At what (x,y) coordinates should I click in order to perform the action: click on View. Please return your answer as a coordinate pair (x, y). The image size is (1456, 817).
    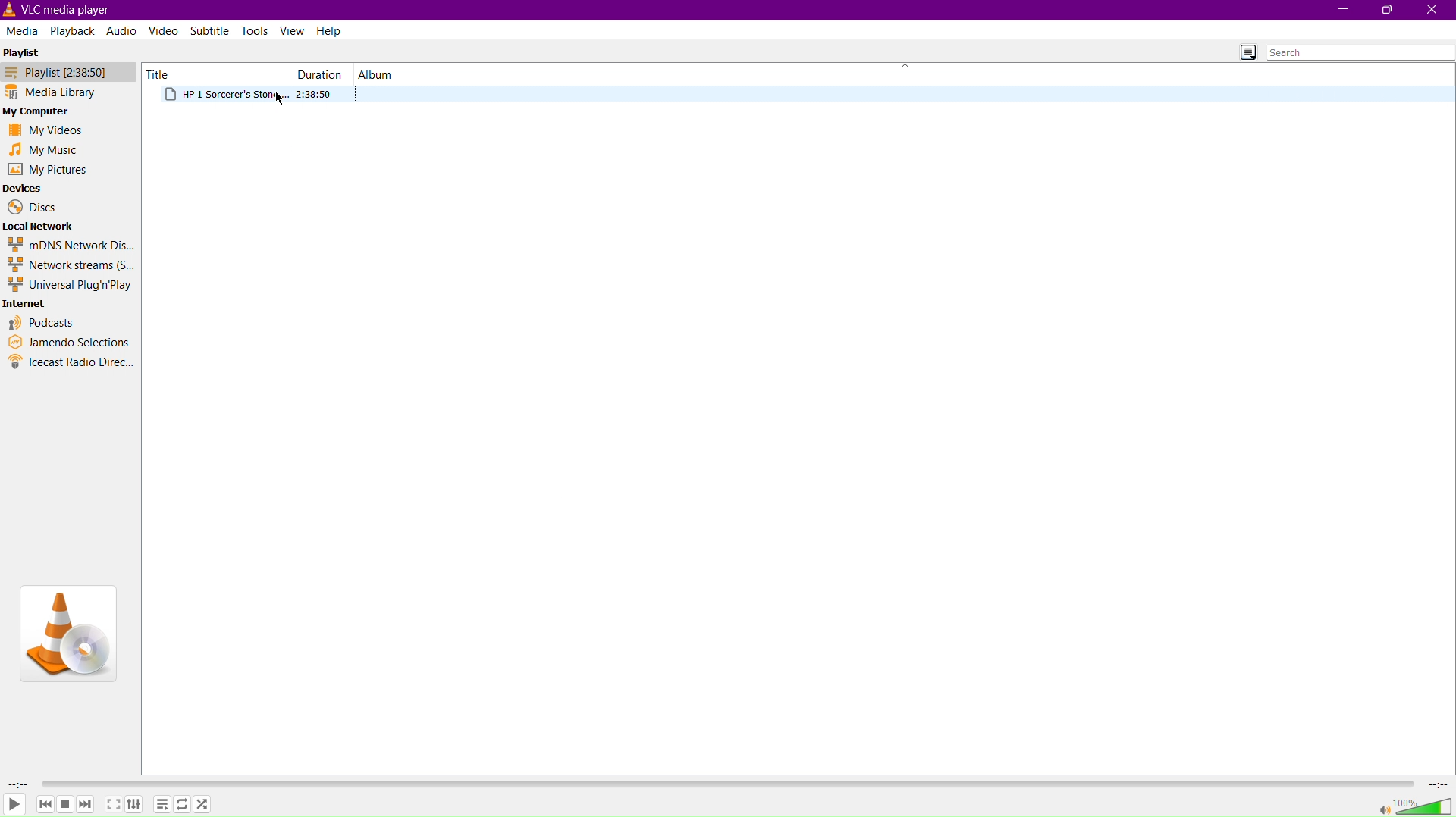
    Looking at the image, I should click on (293, 31).